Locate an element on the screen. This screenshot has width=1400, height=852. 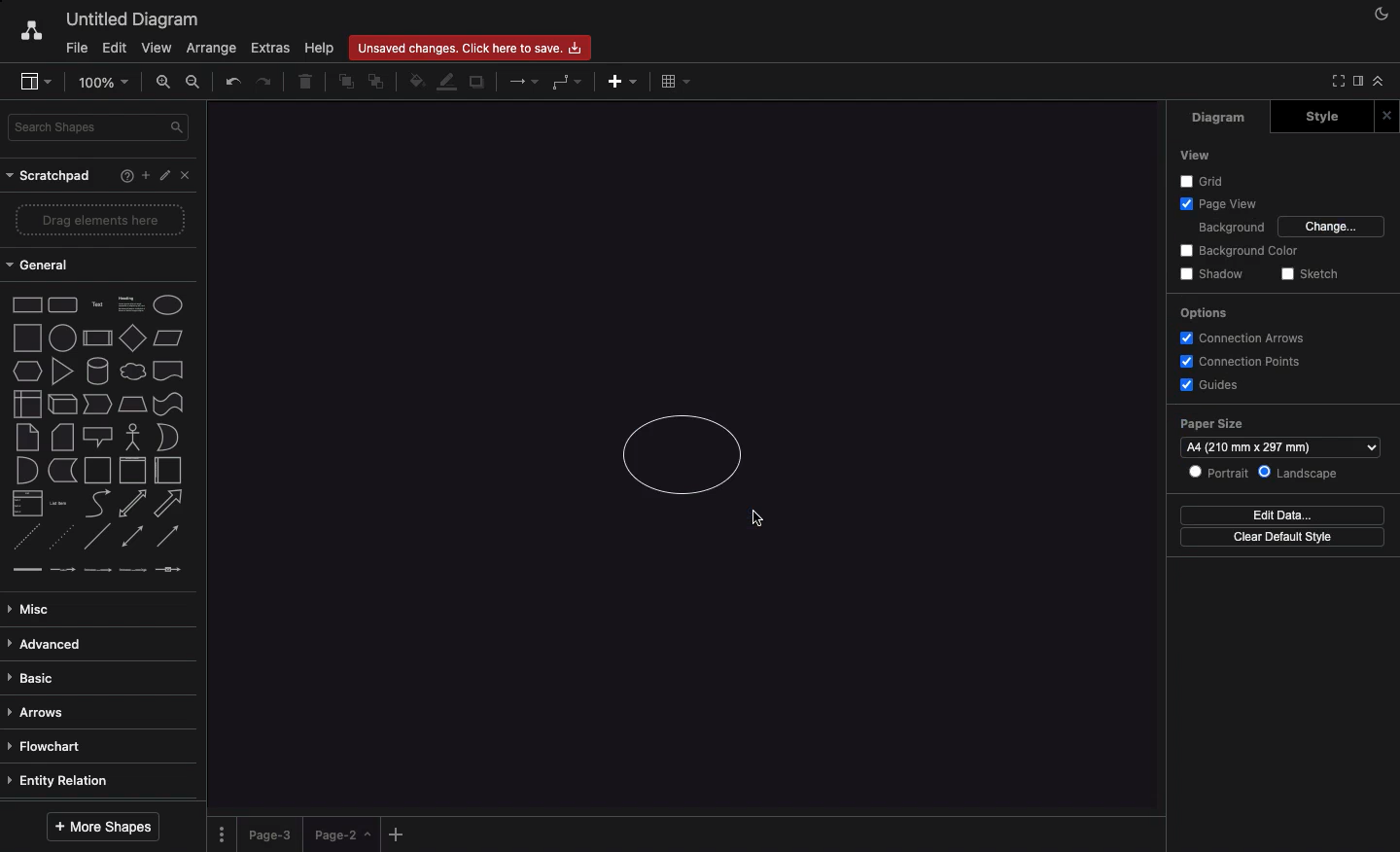
Add is located at coordinates (623, 82).